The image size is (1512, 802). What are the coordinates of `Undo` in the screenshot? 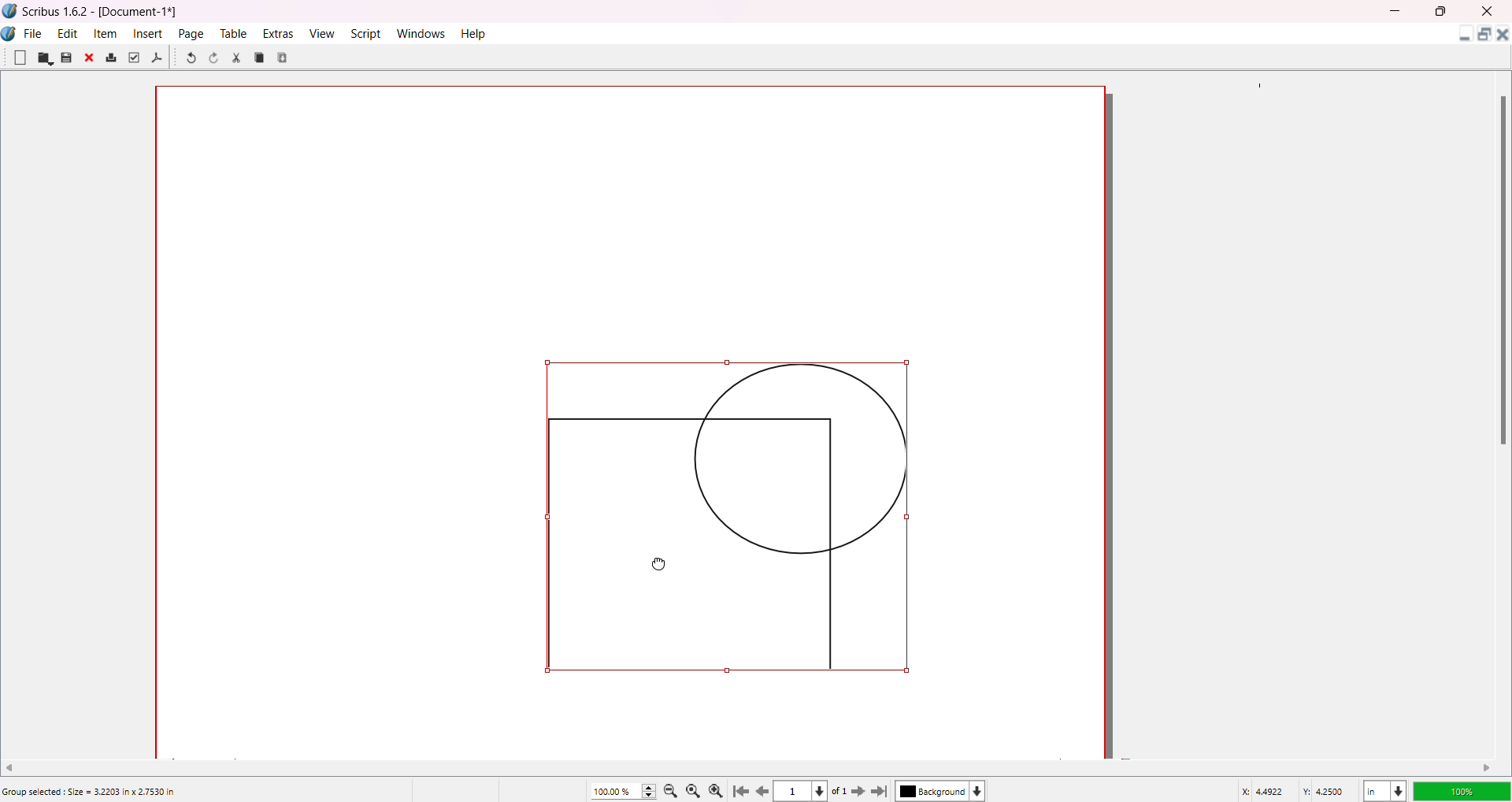 It's located at (190, 59).